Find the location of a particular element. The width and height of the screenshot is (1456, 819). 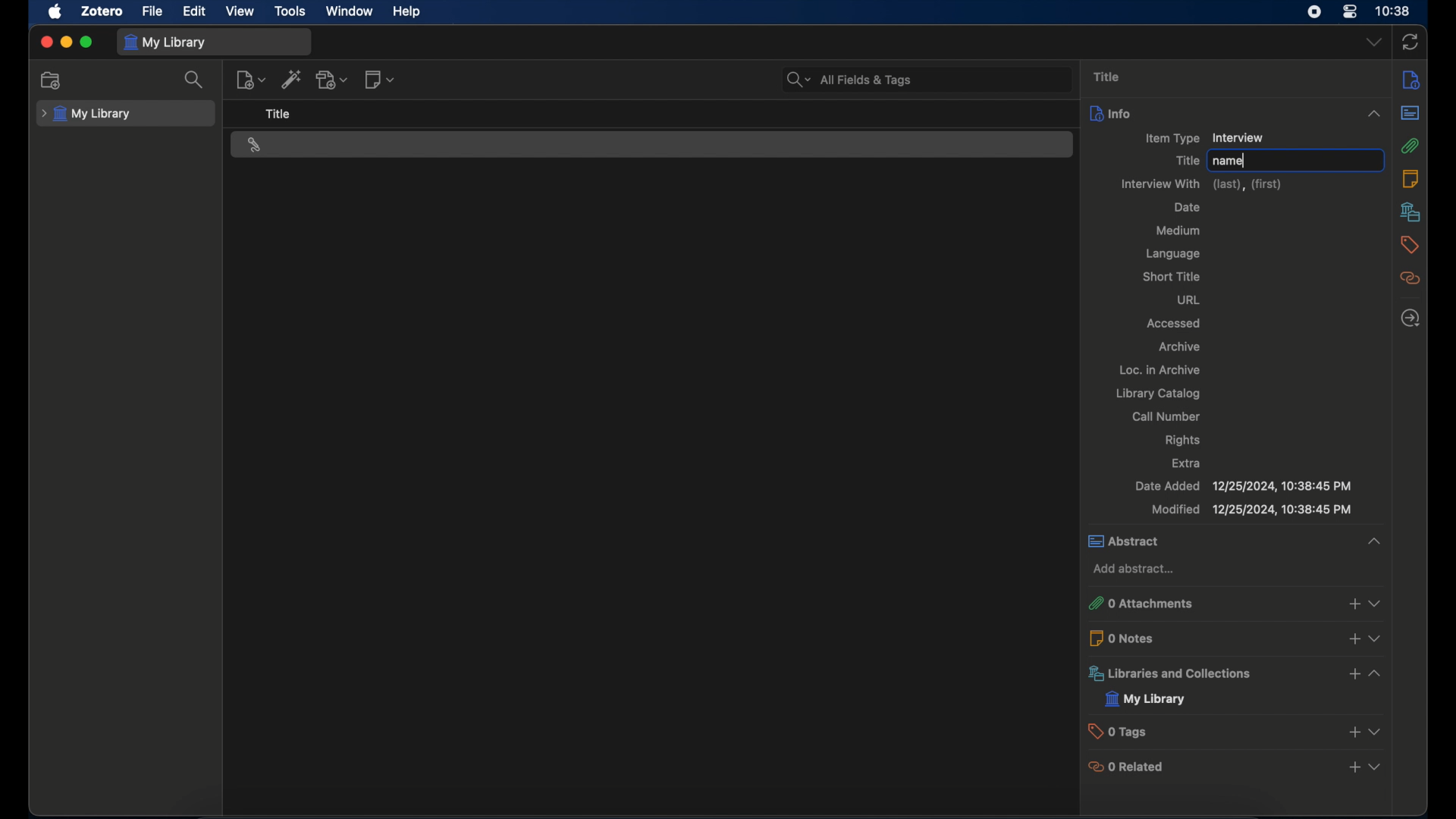

add is located at coordinates (1352, 604).